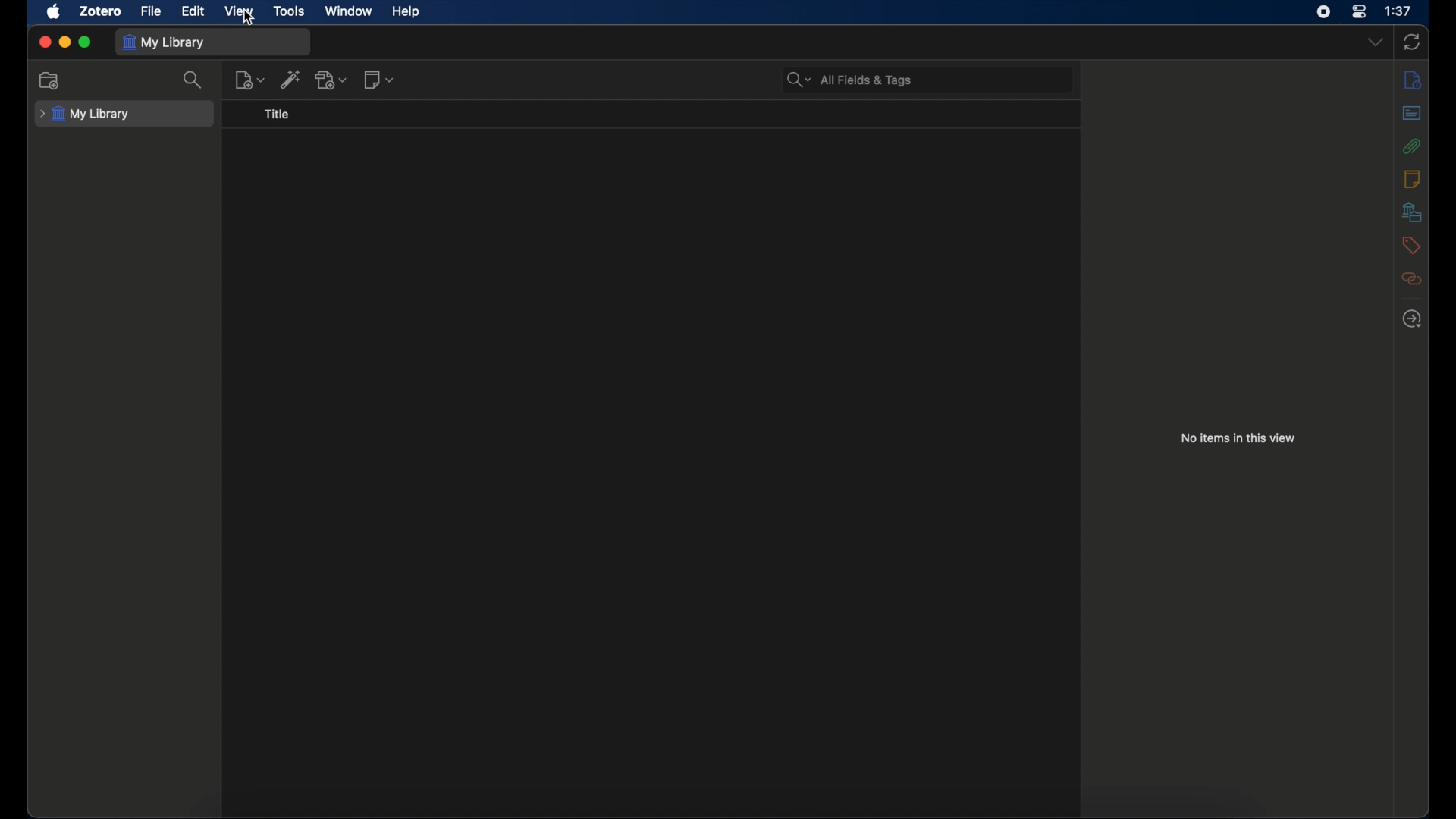 The height and width of the screenshot is (819, 1456). Describe the element at coordinates (1374, 42) in the screenshot. I see `dropdown` at that location.